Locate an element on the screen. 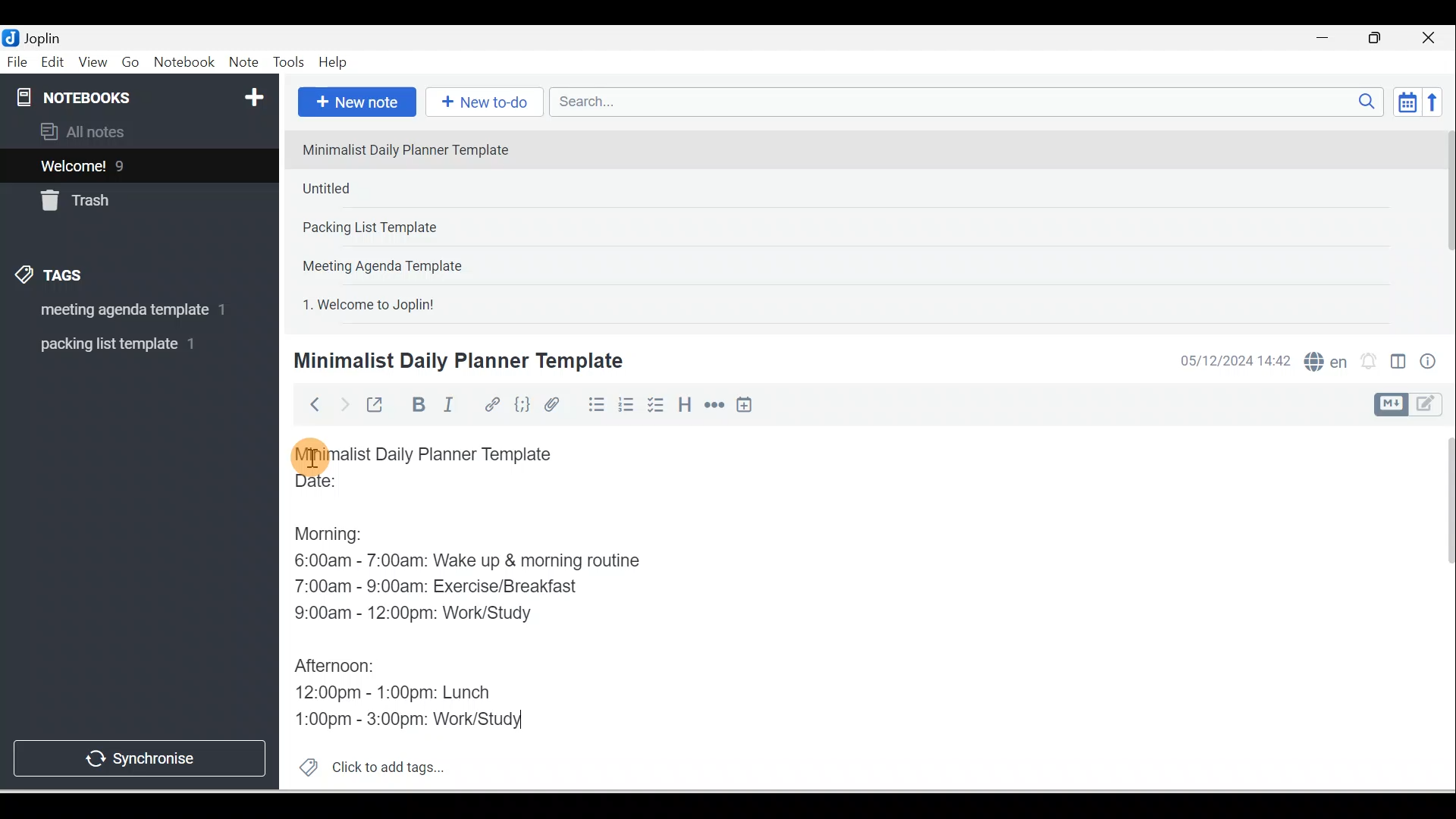 The width and height of the screenshot is (1456, 819). Date & time is located at coordinates (1232, 361).